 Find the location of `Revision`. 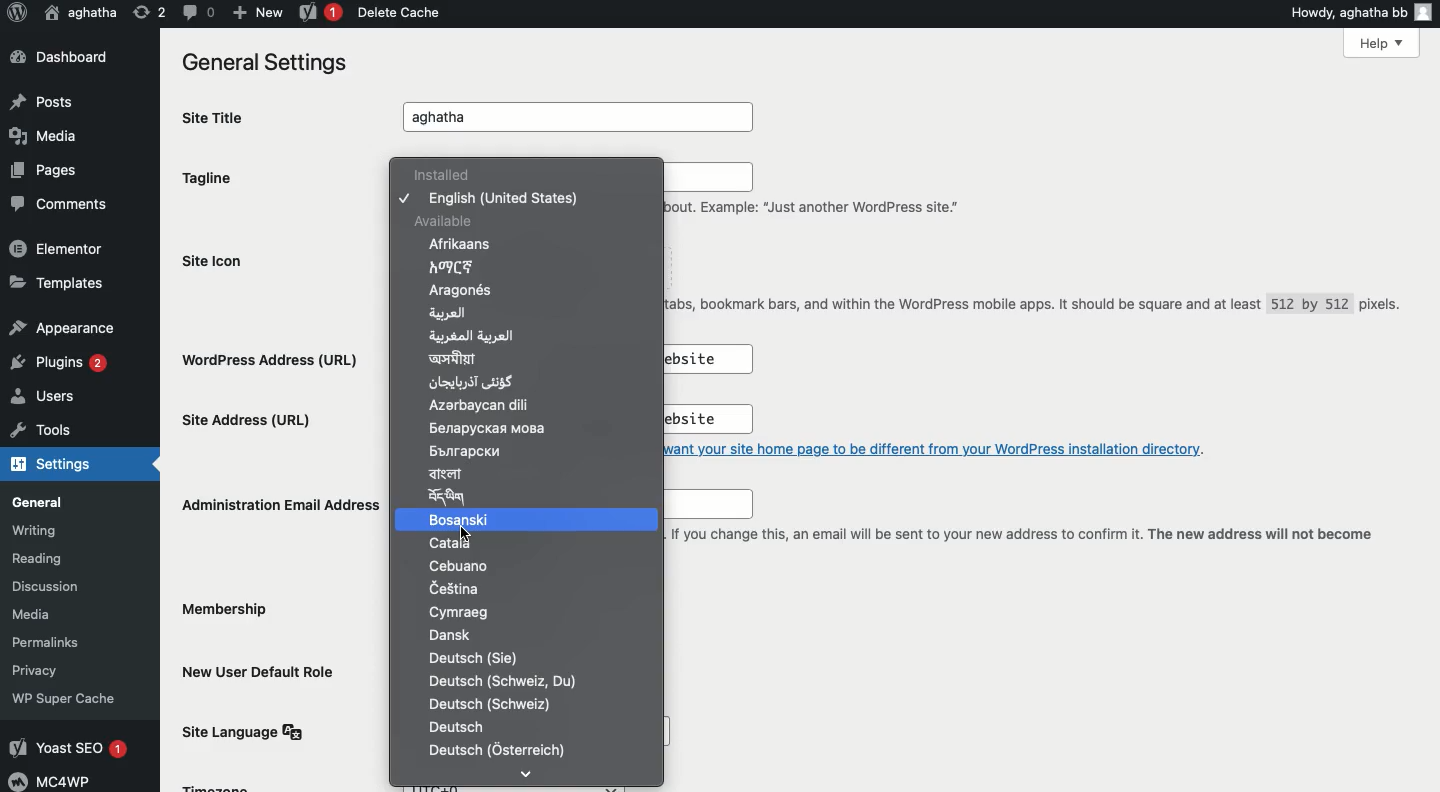

Revision is located at coordinates (145, 14).